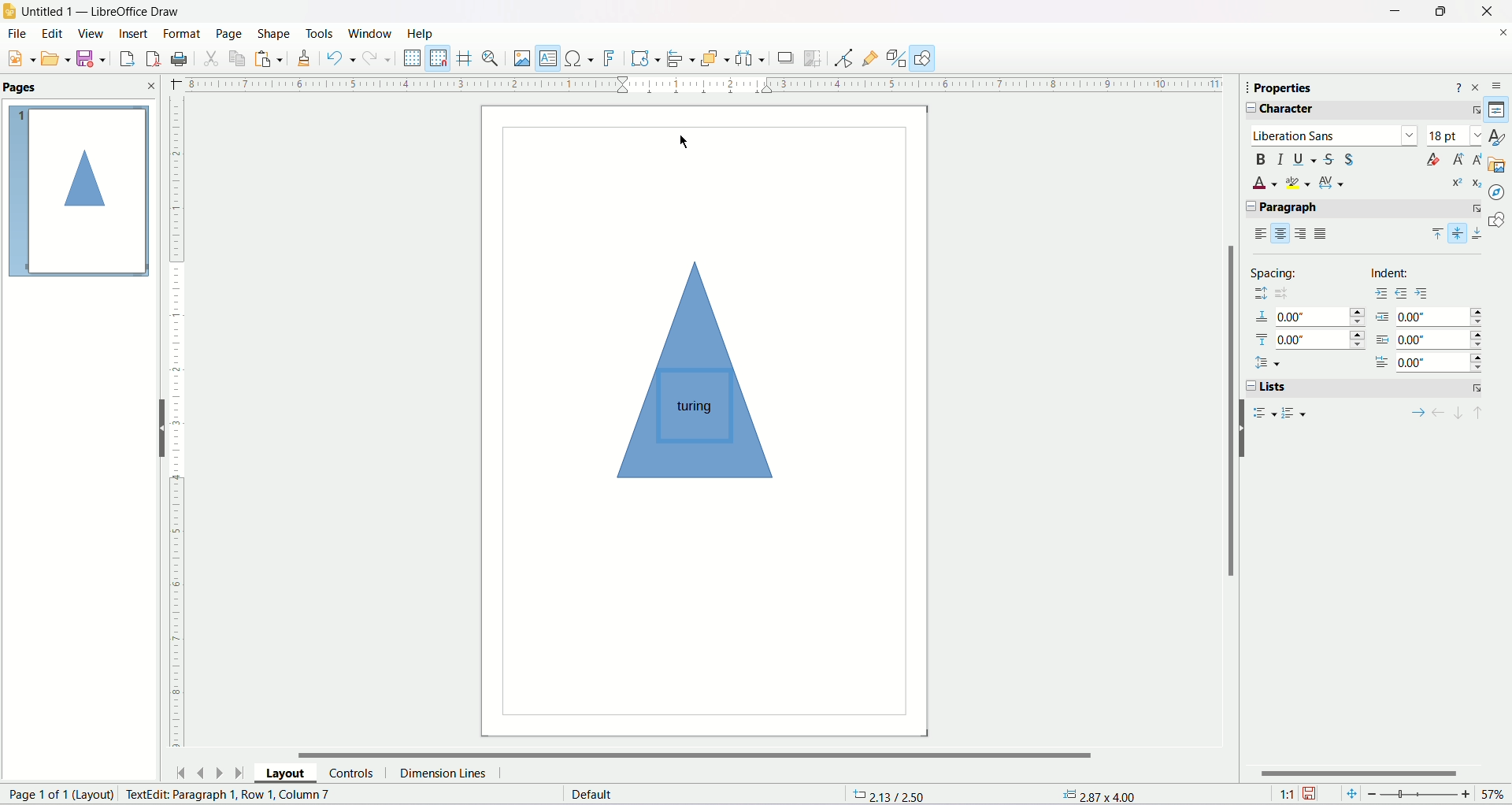 This screenshot has height=805, width=1512. What do you see at coordinates (1438, 414) in the screenshot?
I see `promote outline` at bounding box center [1438, 414].